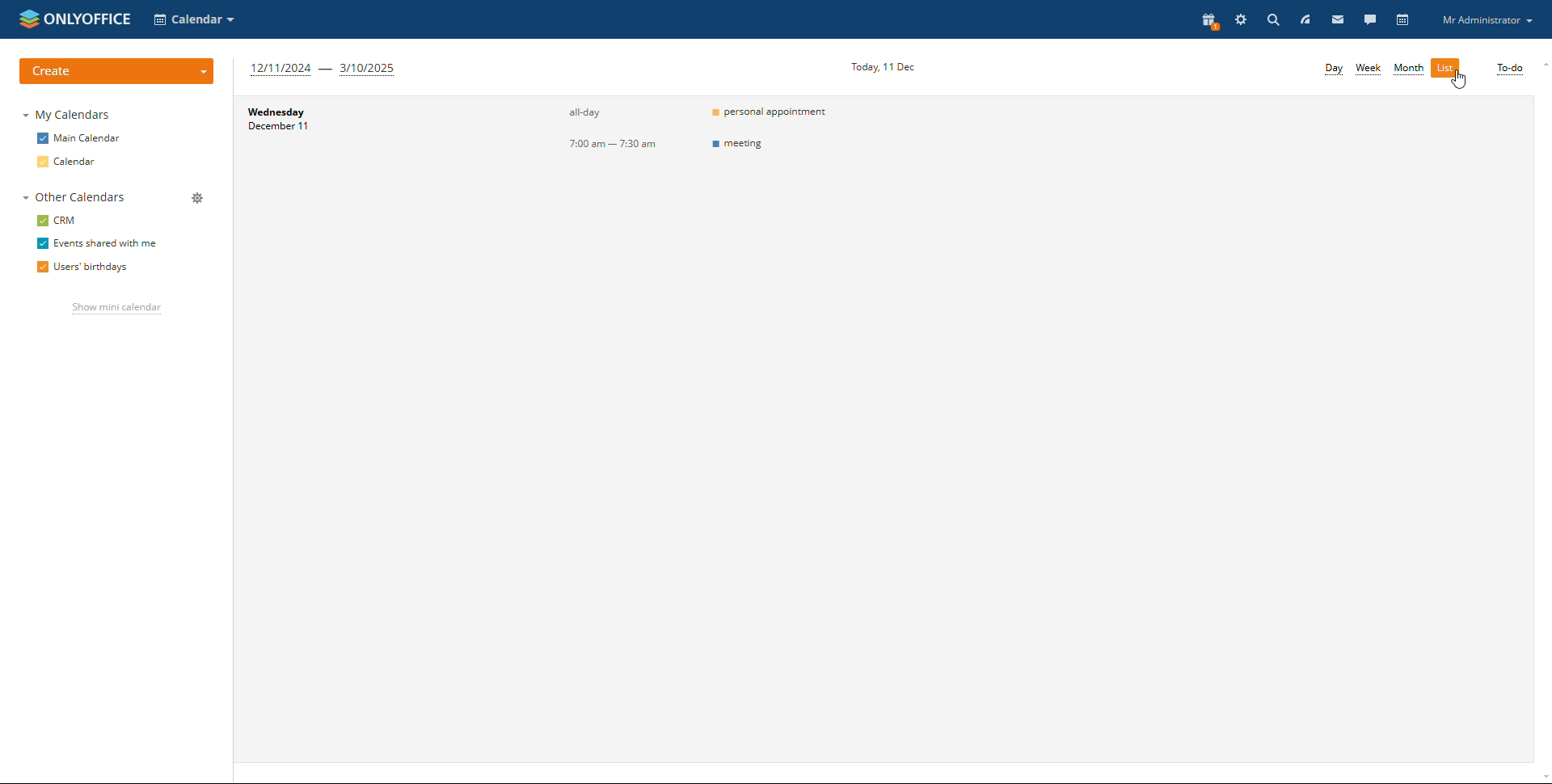 Image resolution: width=1552 pixels, height=784 pixels. Describe the element at coordinates (195, 19) in the screenshot. I see `select application` at that location.